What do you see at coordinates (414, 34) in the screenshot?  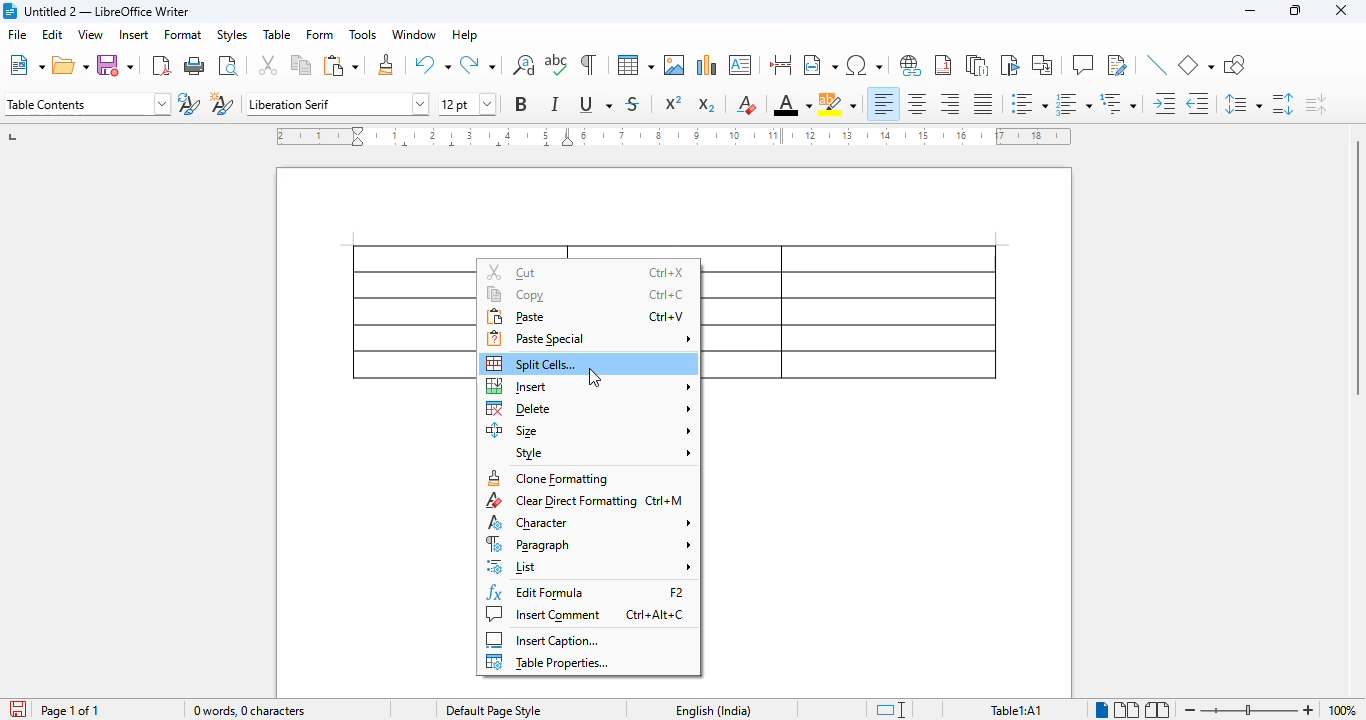 I see `window` at bounding box center [414, 34].